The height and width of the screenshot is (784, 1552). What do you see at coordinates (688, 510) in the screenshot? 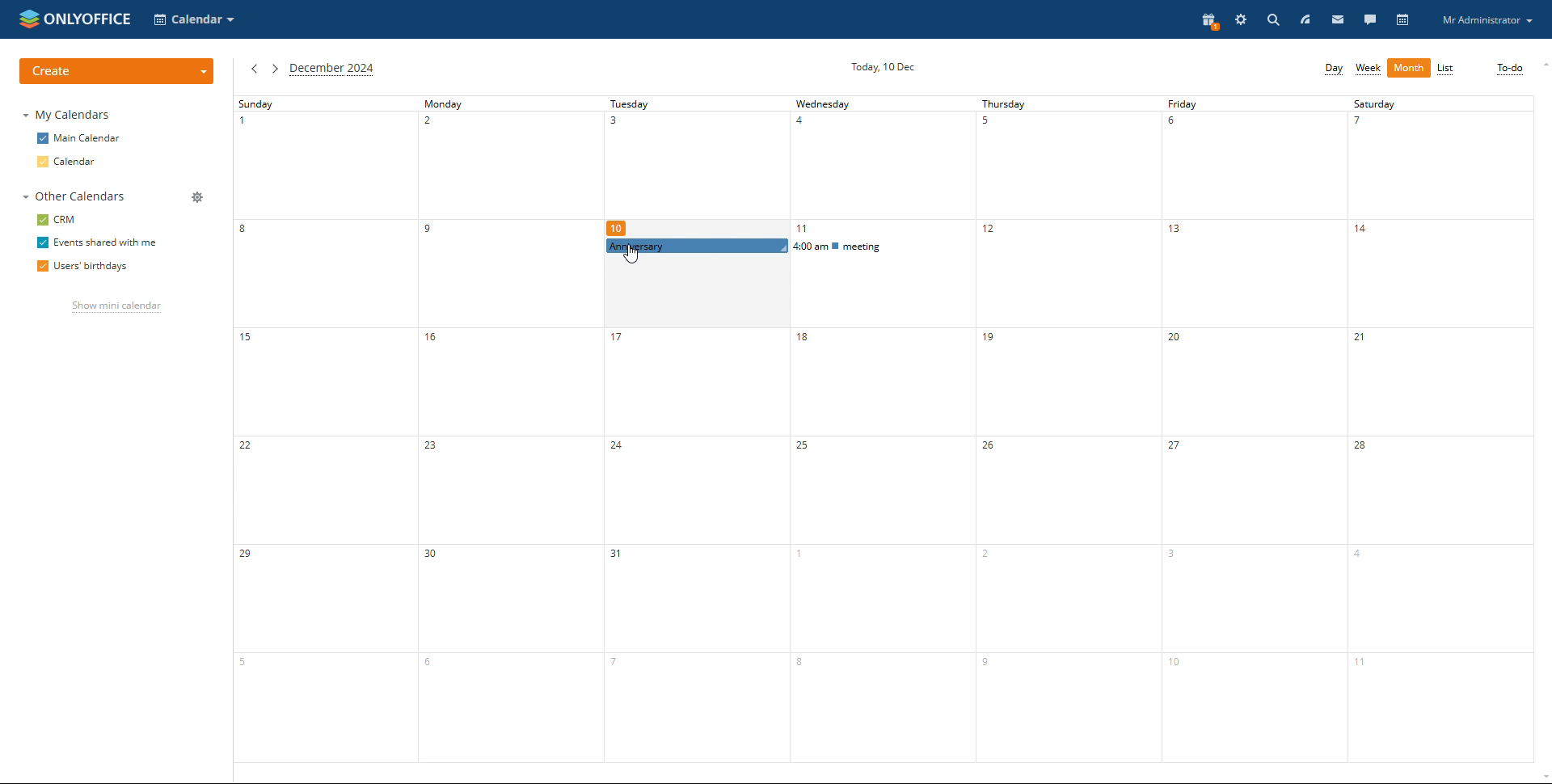
I see `tuesday` at bounding box center [688, 510].